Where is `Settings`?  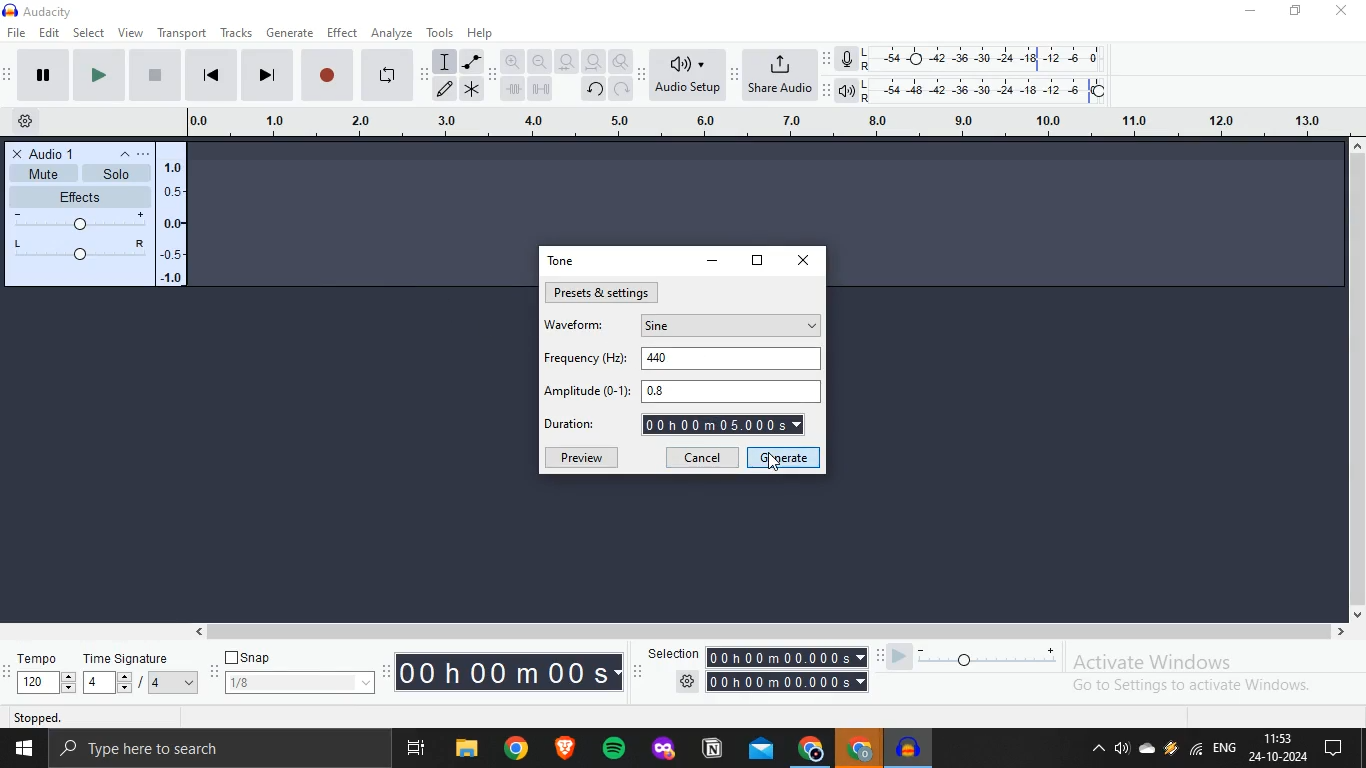
Settings is located at coordinates (767, 682).